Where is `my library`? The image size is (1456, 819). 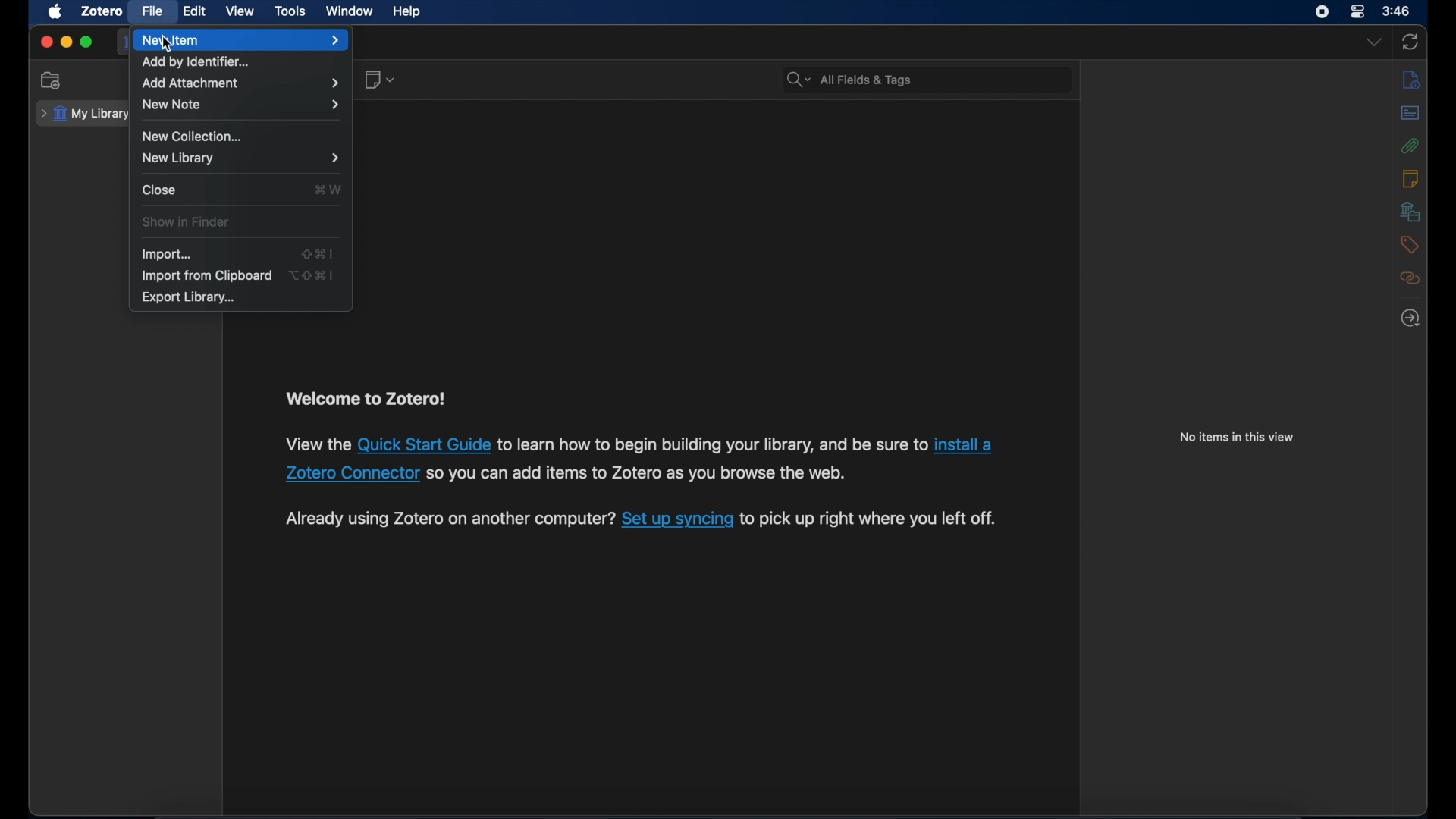 my library is located at coordinates (83, 115).